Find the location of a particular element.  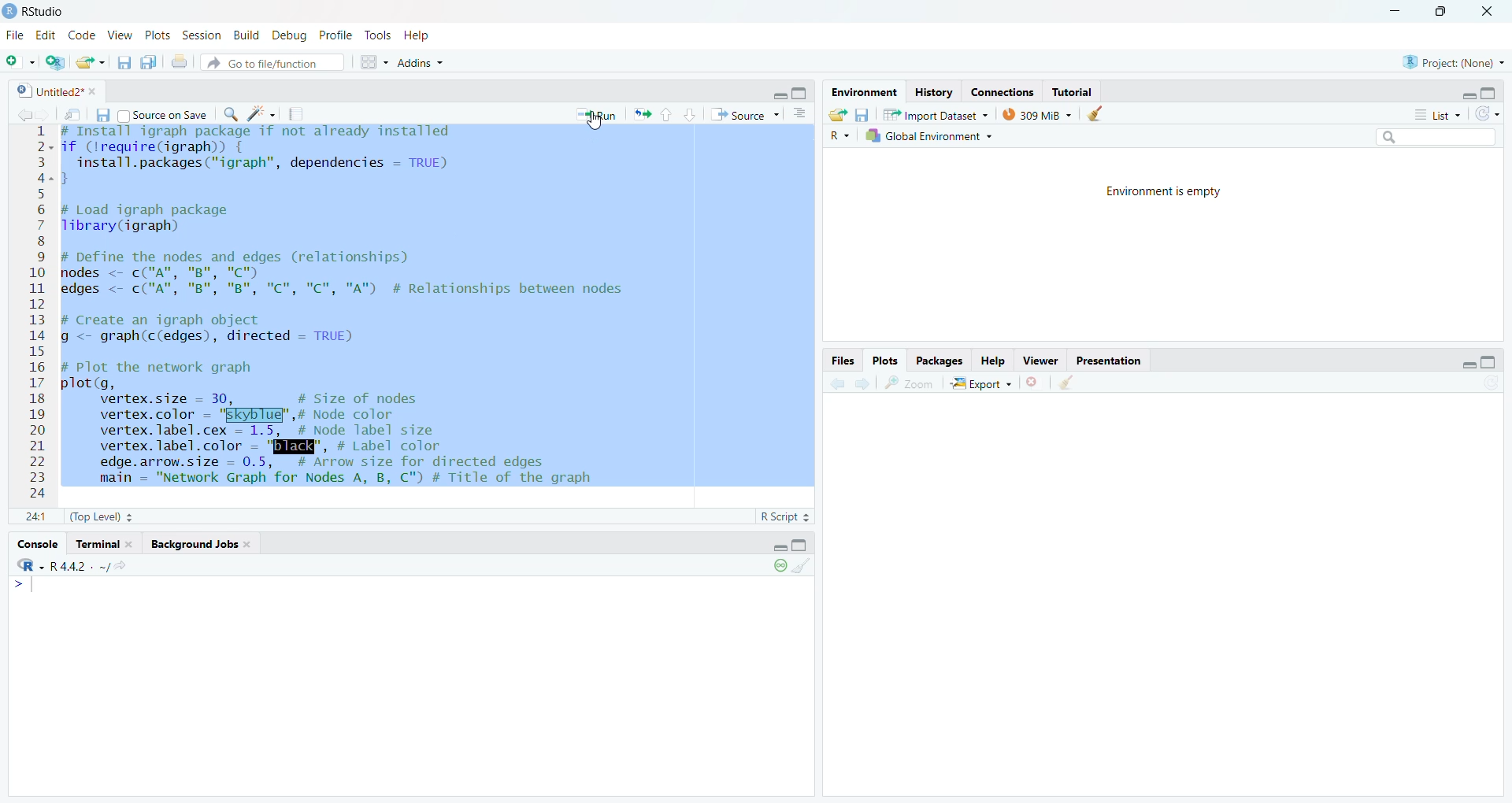

minimise is located at coordinates (779, 94).